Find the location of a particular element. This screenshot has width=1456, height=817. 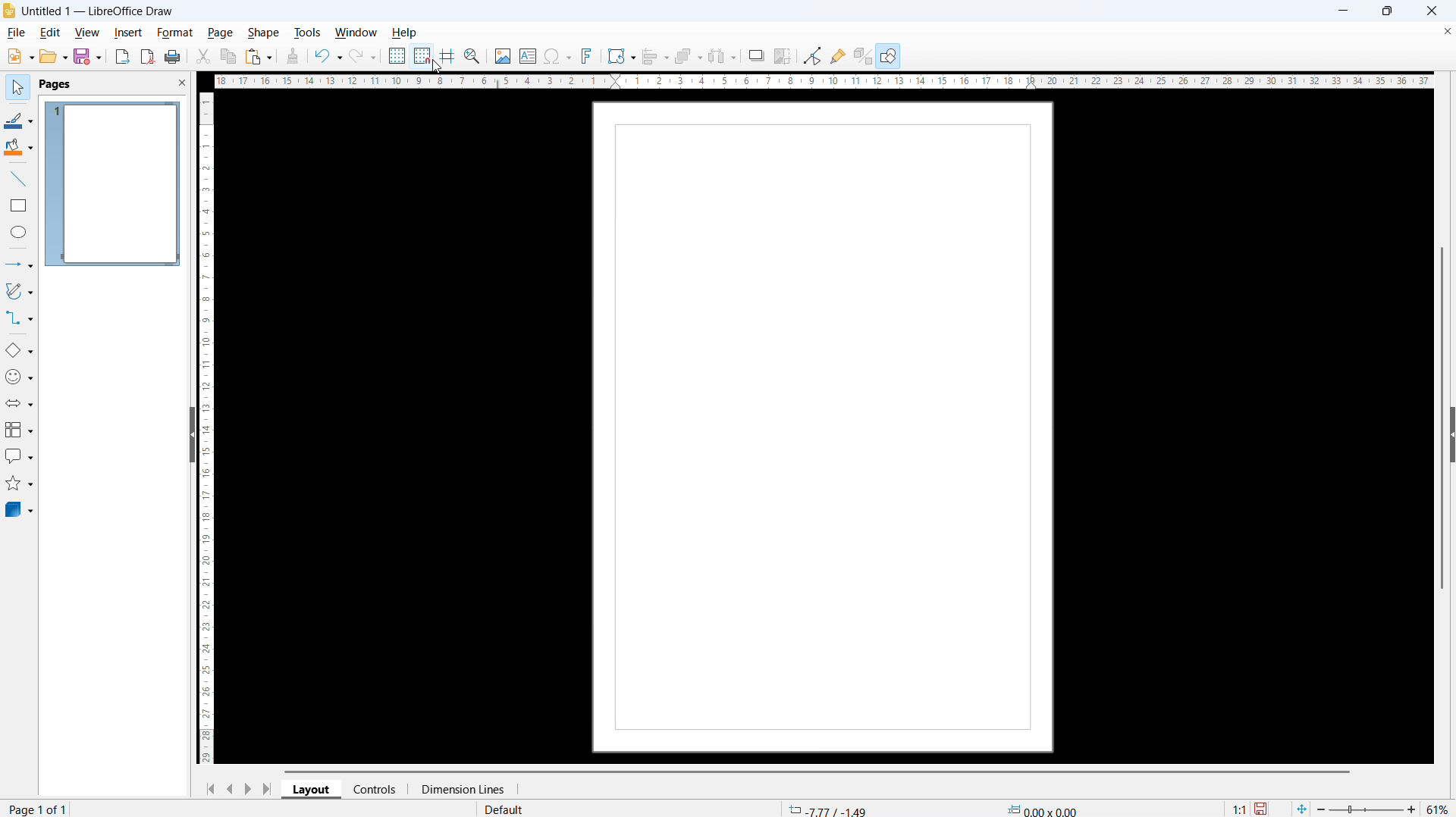

Toggle extrusion  is located at coordinates (863, 55).